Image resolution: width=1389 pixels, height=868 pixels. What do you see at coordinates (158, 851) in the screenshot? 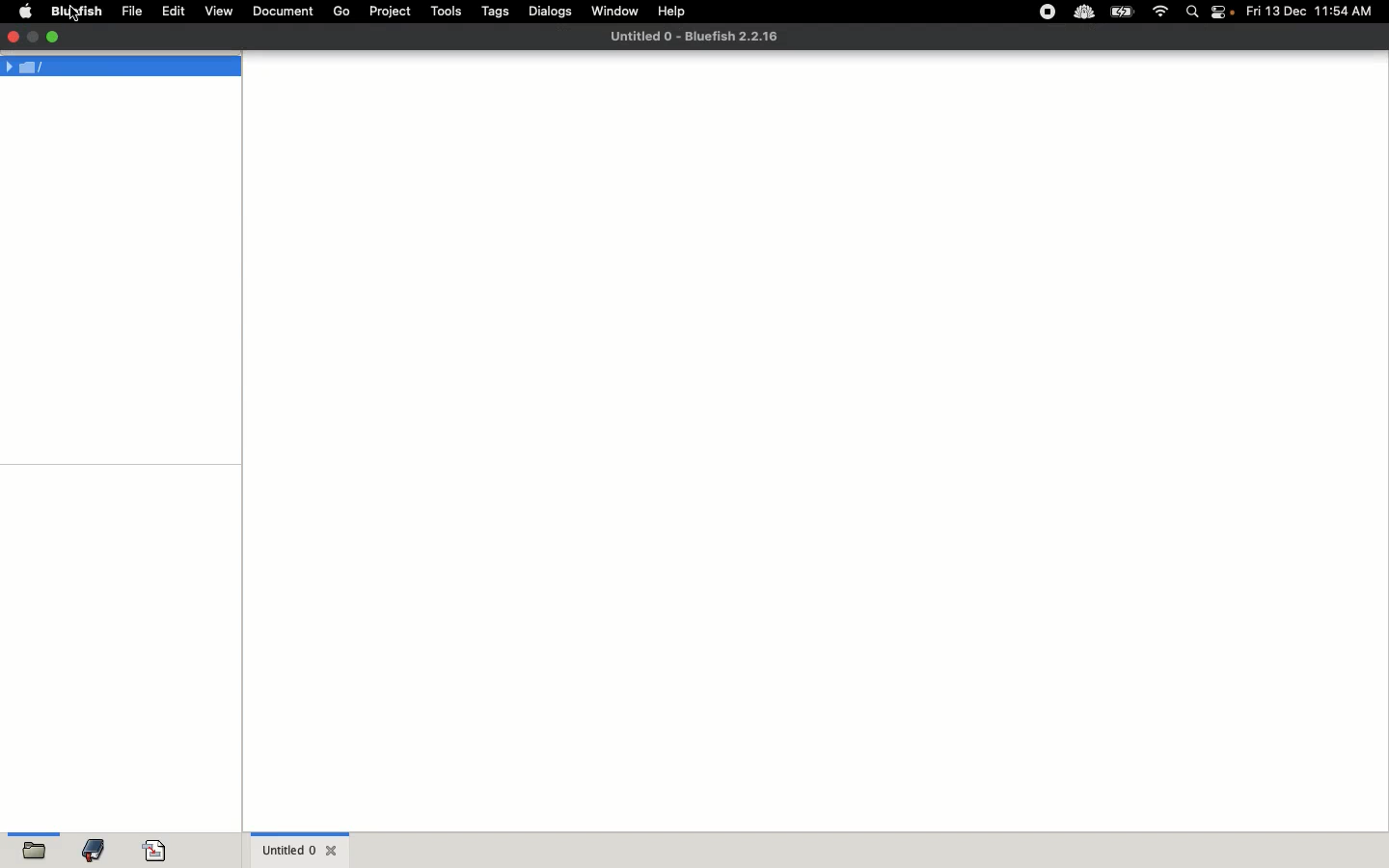
I see `Bookmark` at bounding box center [158, 851].